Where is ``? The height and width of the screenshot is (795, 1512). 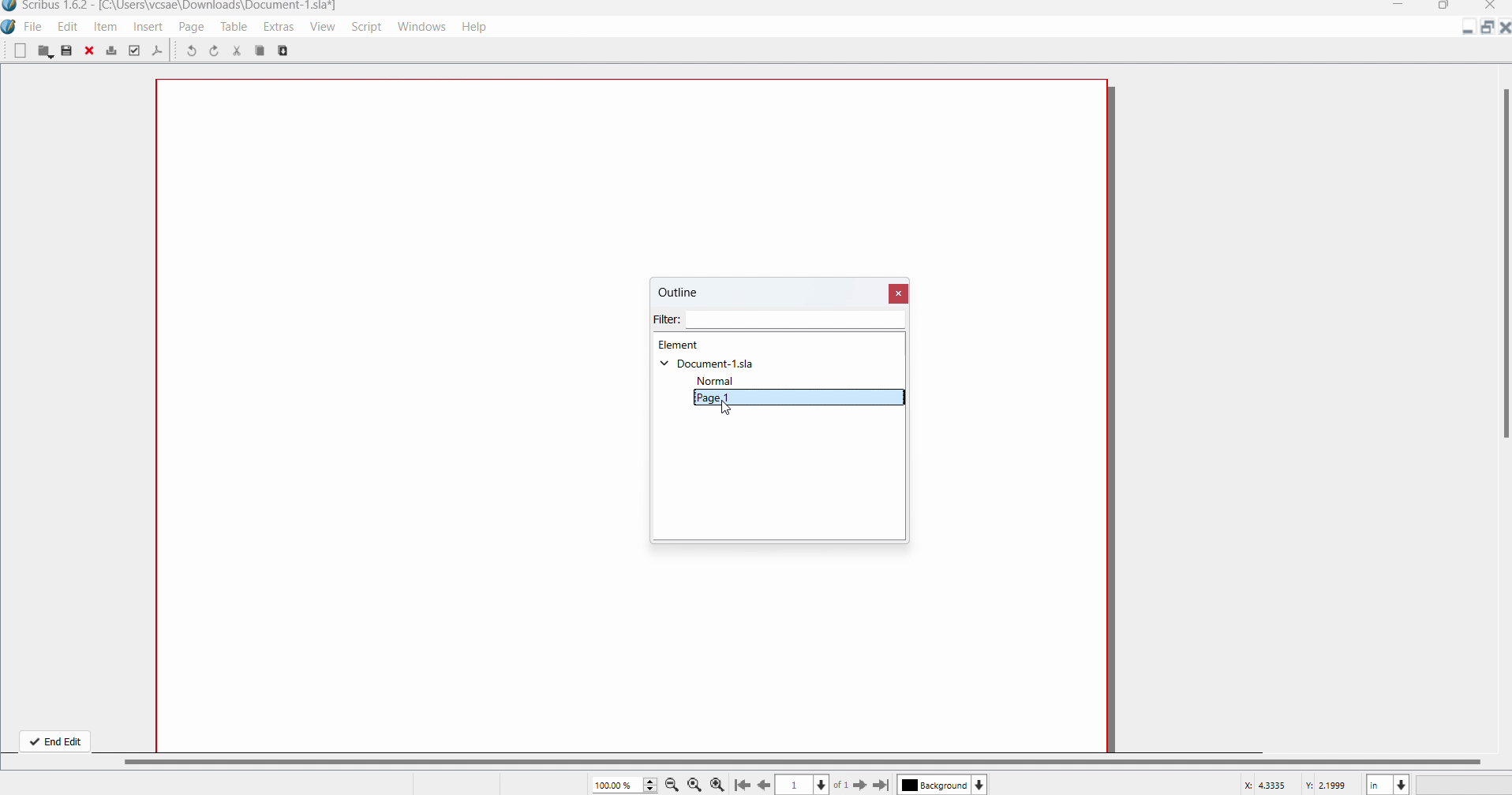  is located at coordinates (201, 51).